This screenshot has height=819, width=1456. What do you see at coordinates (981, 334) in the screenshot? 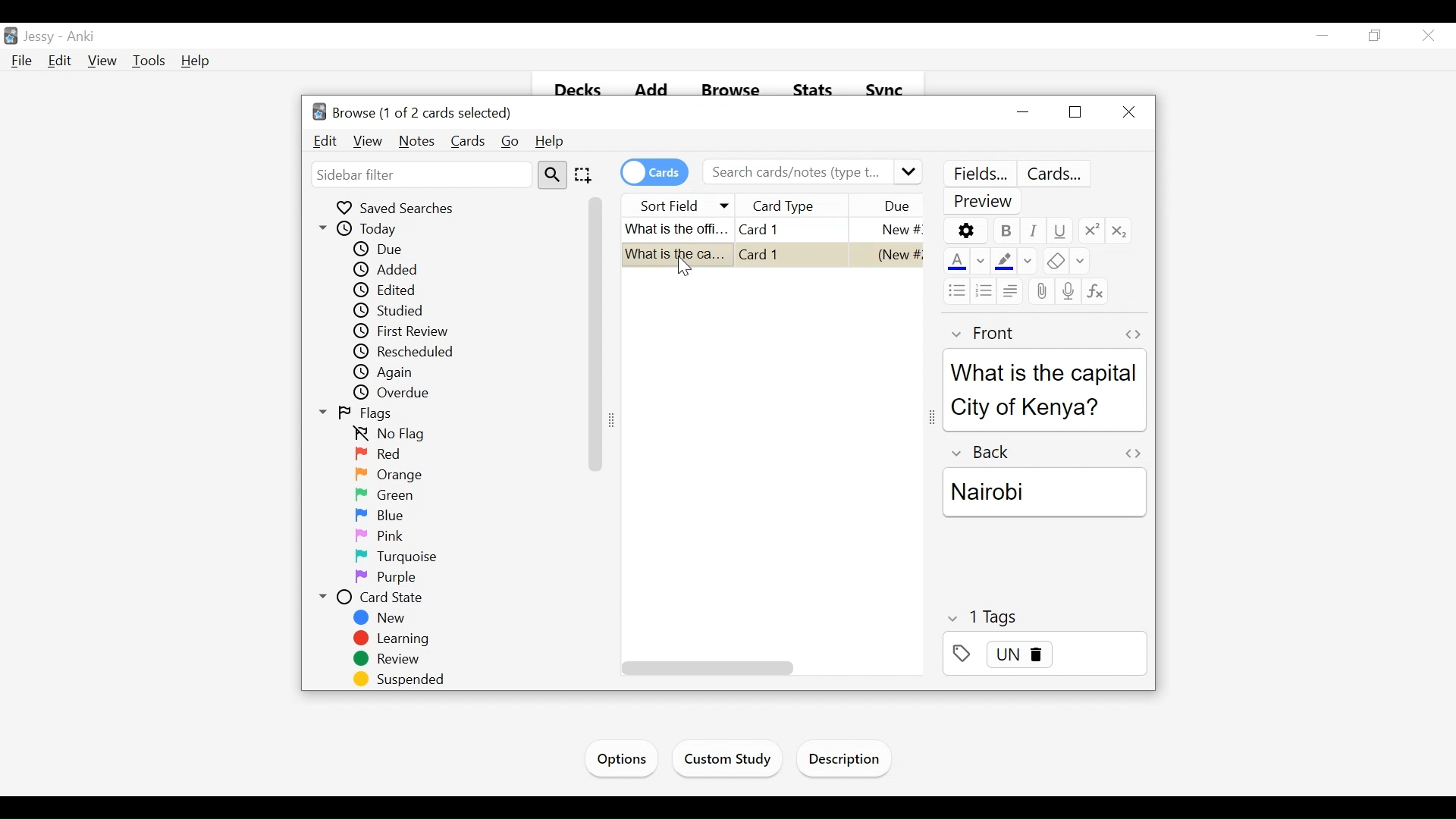
I see `Field` at bounding box center [981, 334].